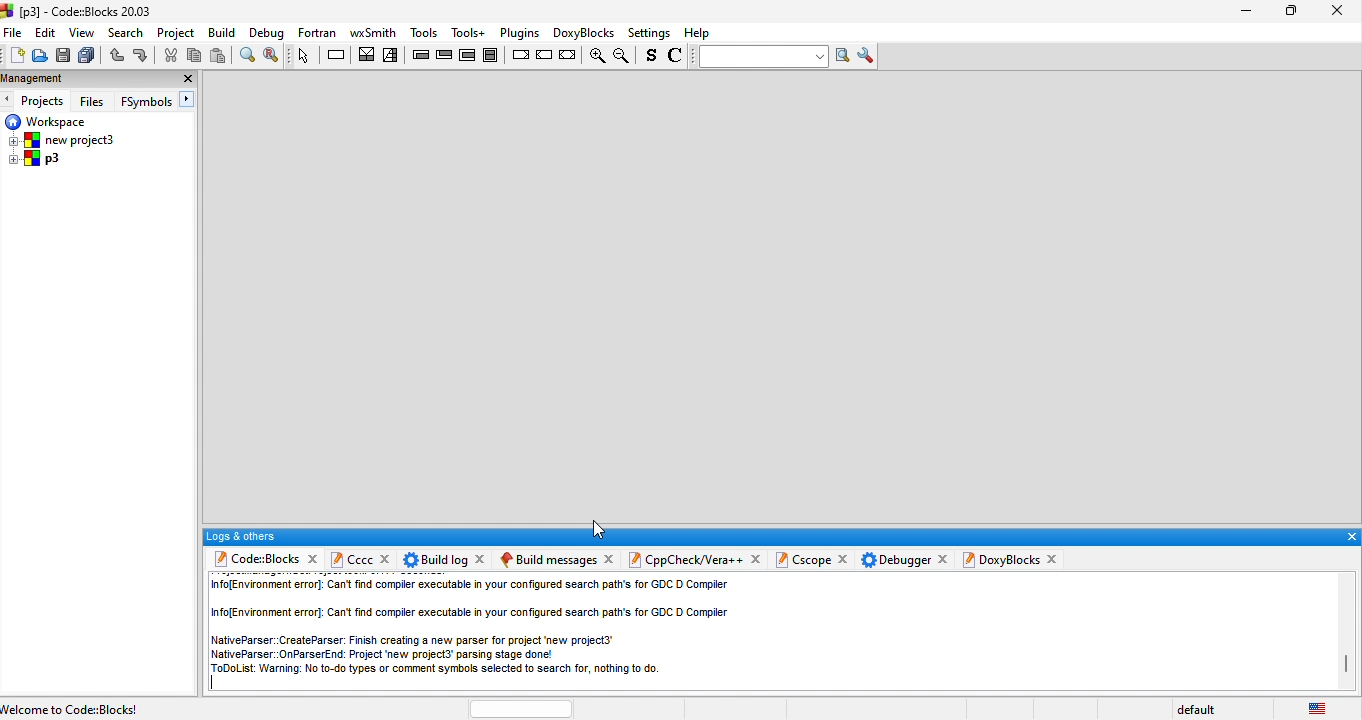  Describe the element at coordinates (1350, 537) in the screenshot. I see `close` at that location.